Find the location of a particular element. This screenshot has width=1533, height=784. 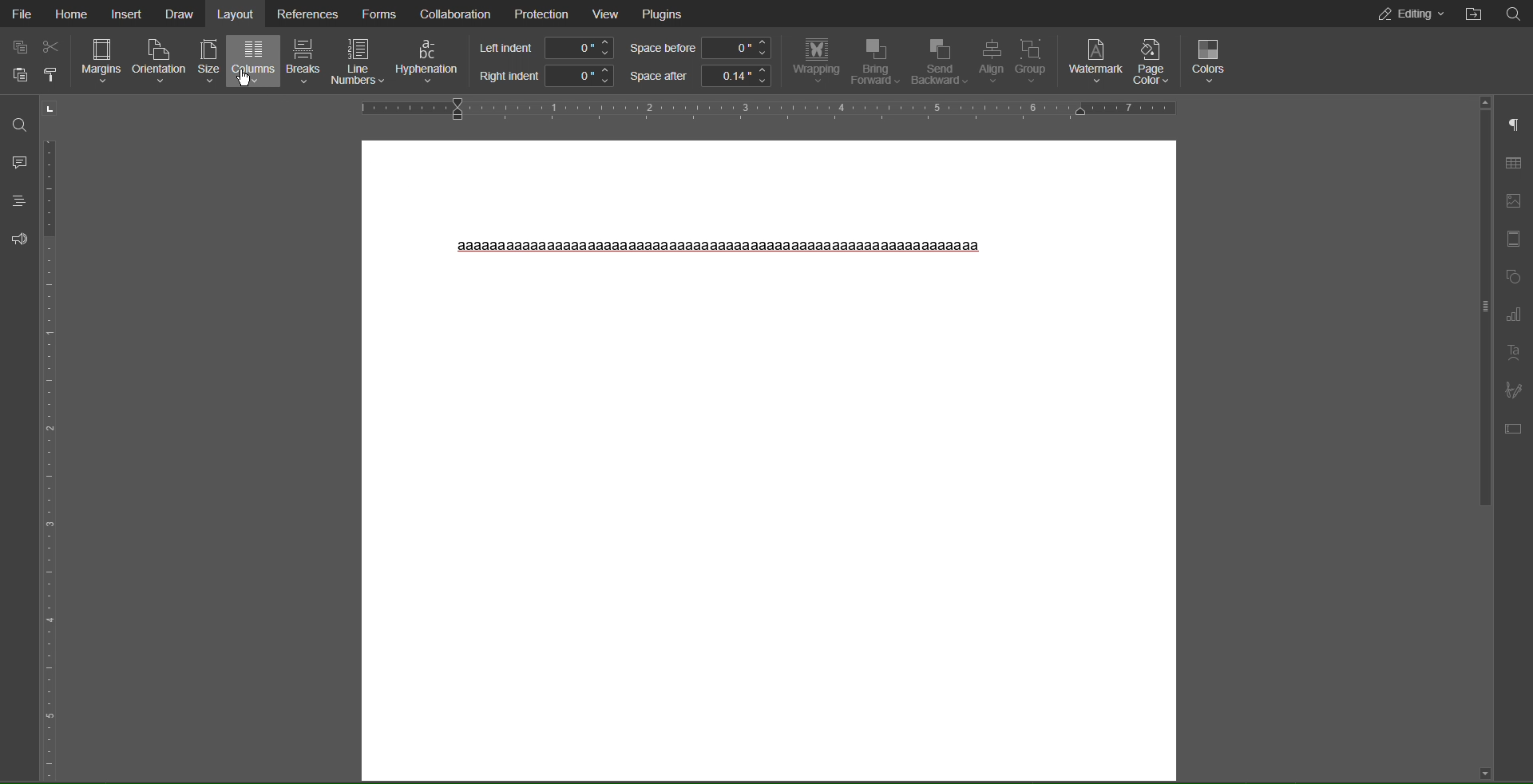

Plugins is located at coordinates (666, 14).